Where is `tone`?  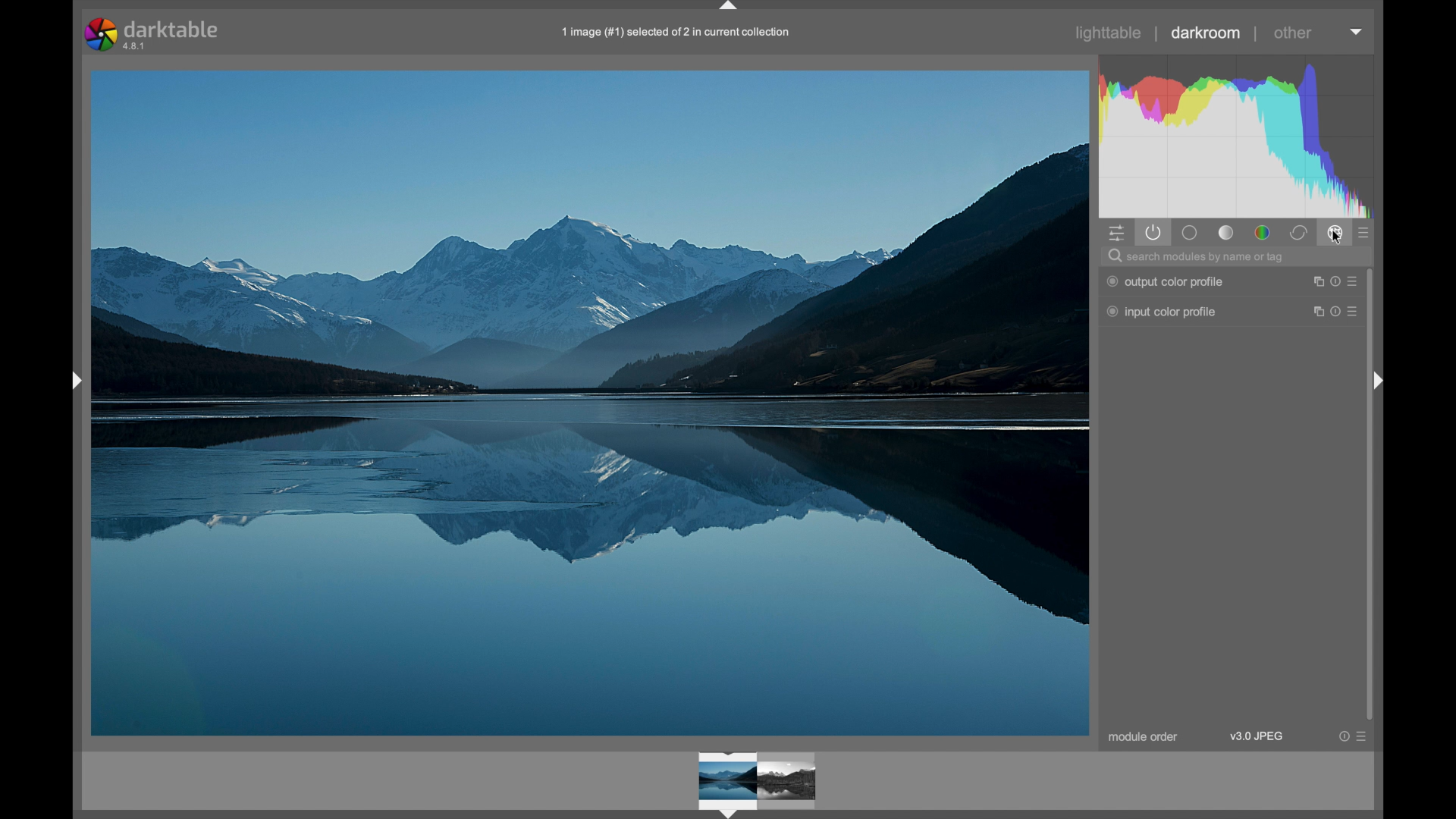
tone is located at coordinates (1227, 233).